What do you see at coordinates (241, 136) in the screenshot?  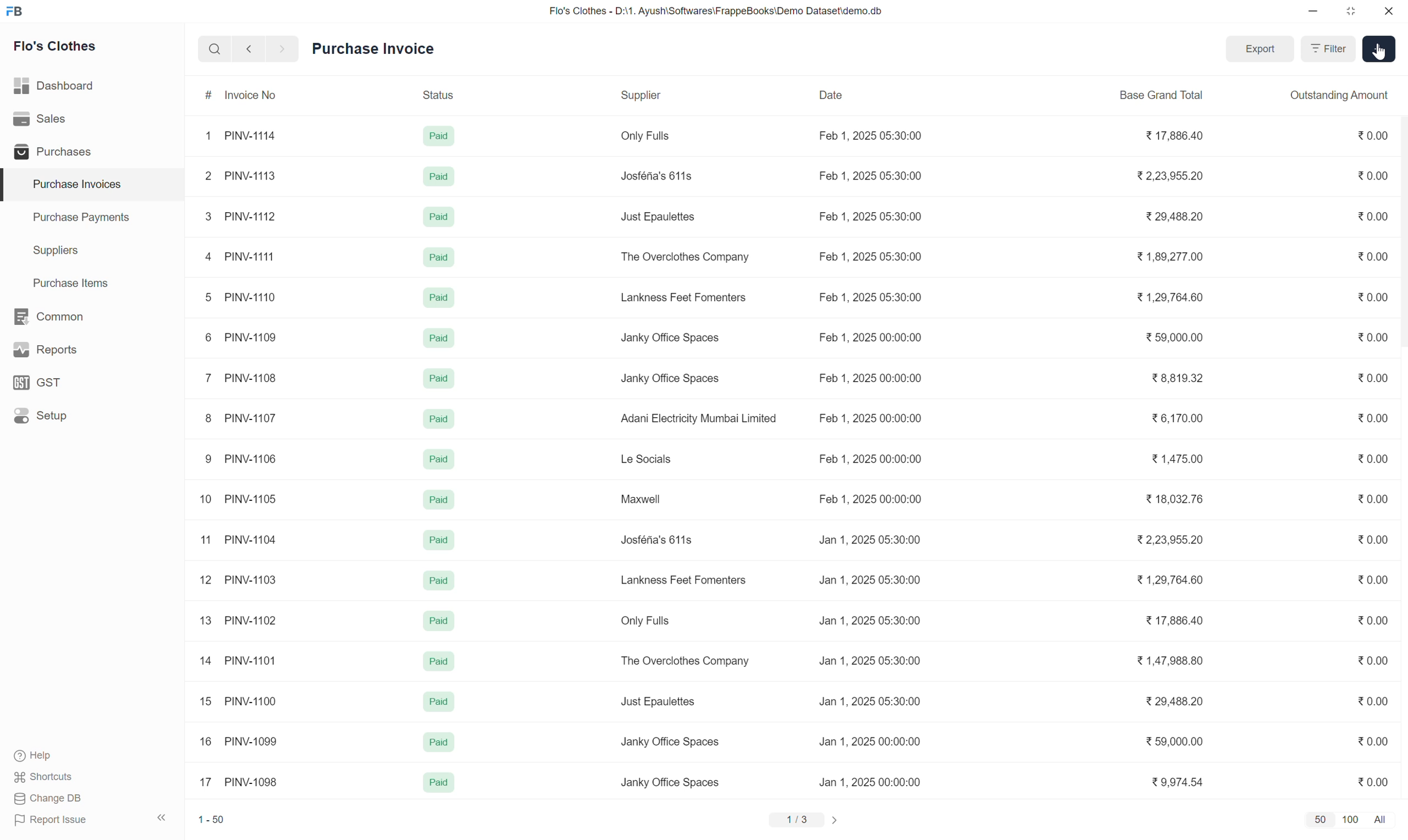 I see `1 PINV-1114` at bounding box center [241, 136].